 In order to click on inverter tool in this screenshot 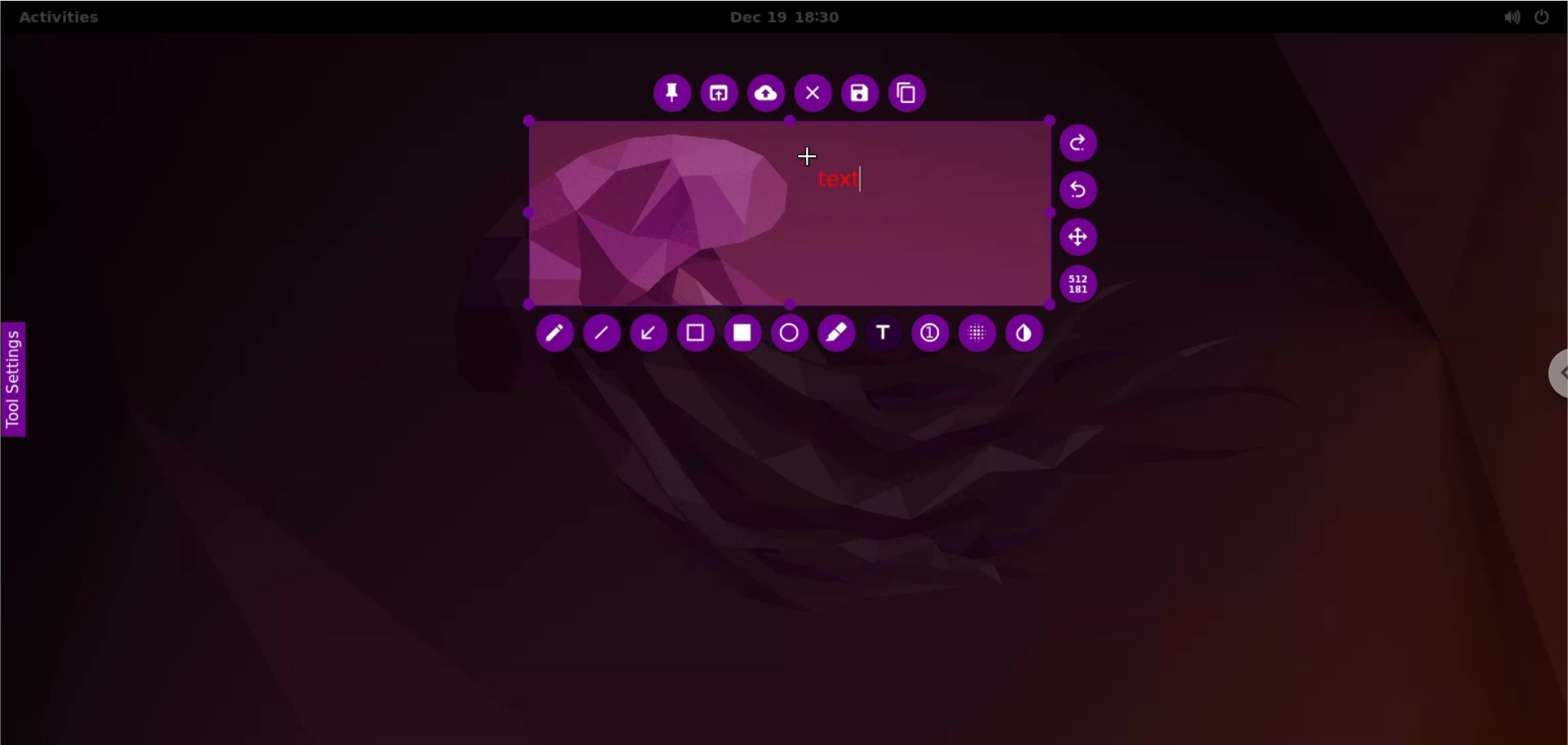, I will do `click(1028, 332)`.